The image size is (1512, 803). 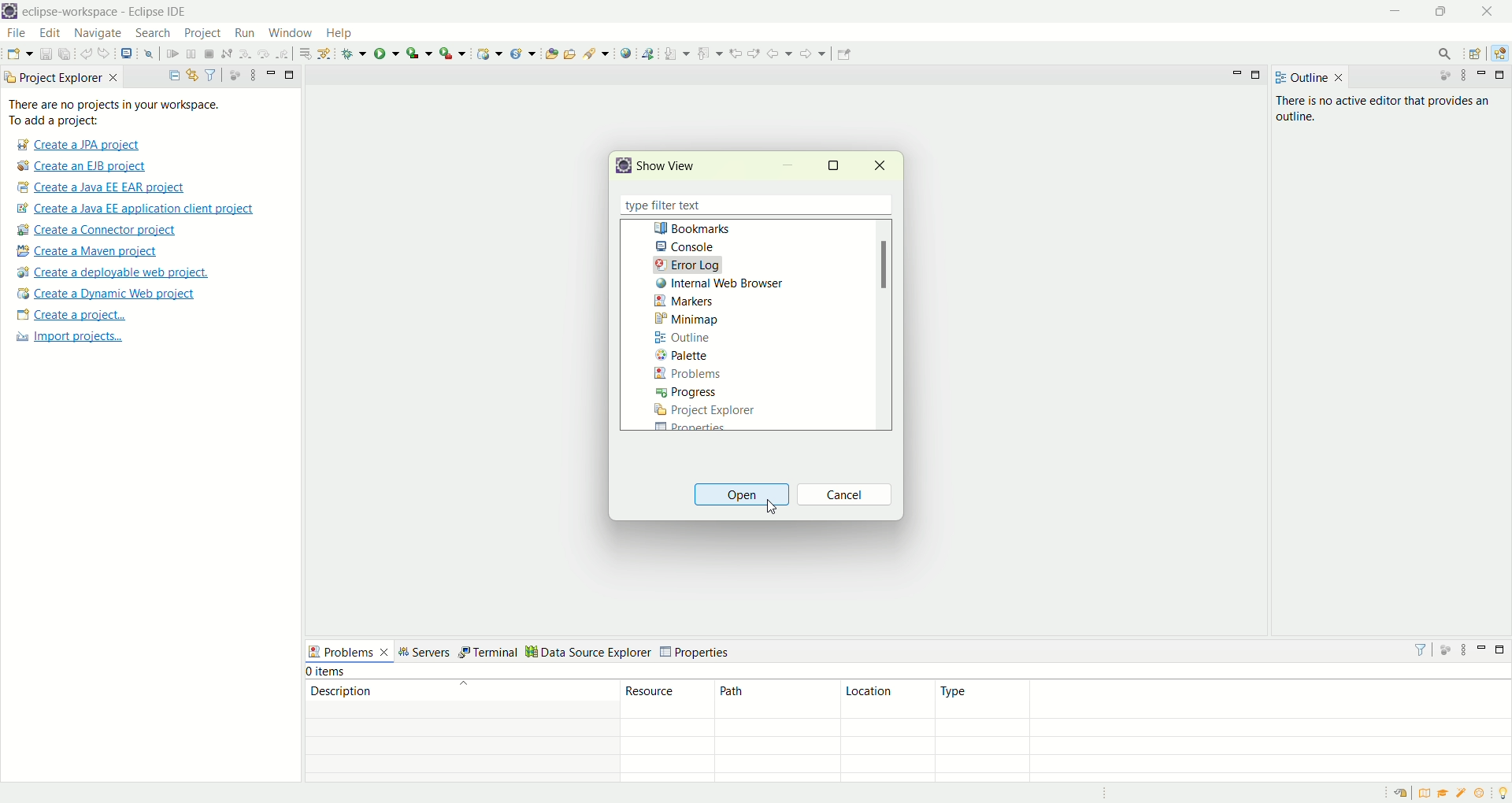 What do you see at coordinates (595, 54) in the screenshot?
I see `search` at bounding box center [595, 54].